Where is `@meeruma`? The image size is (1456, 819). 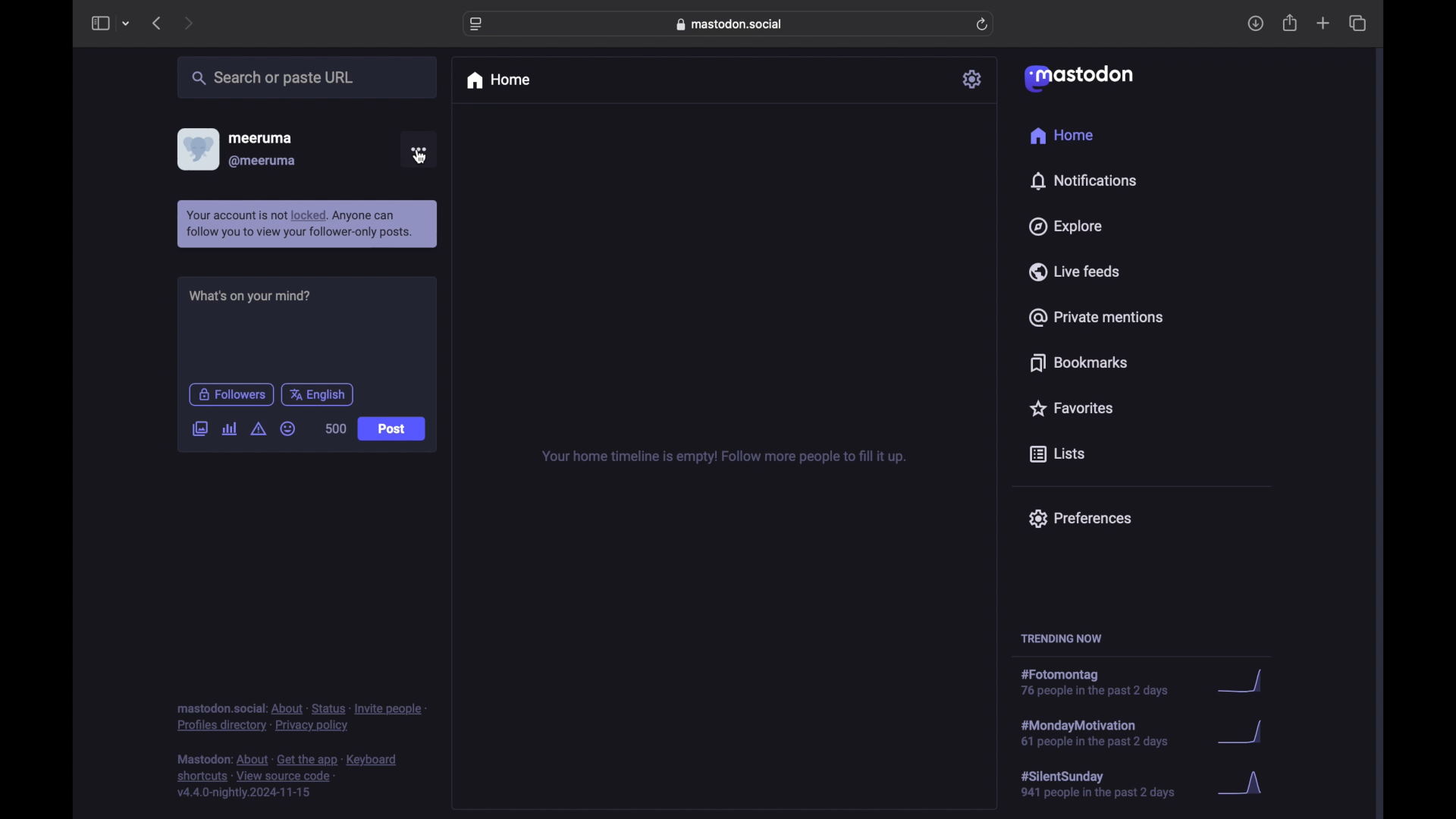
@meeruma is located at coordinates (263, 162).